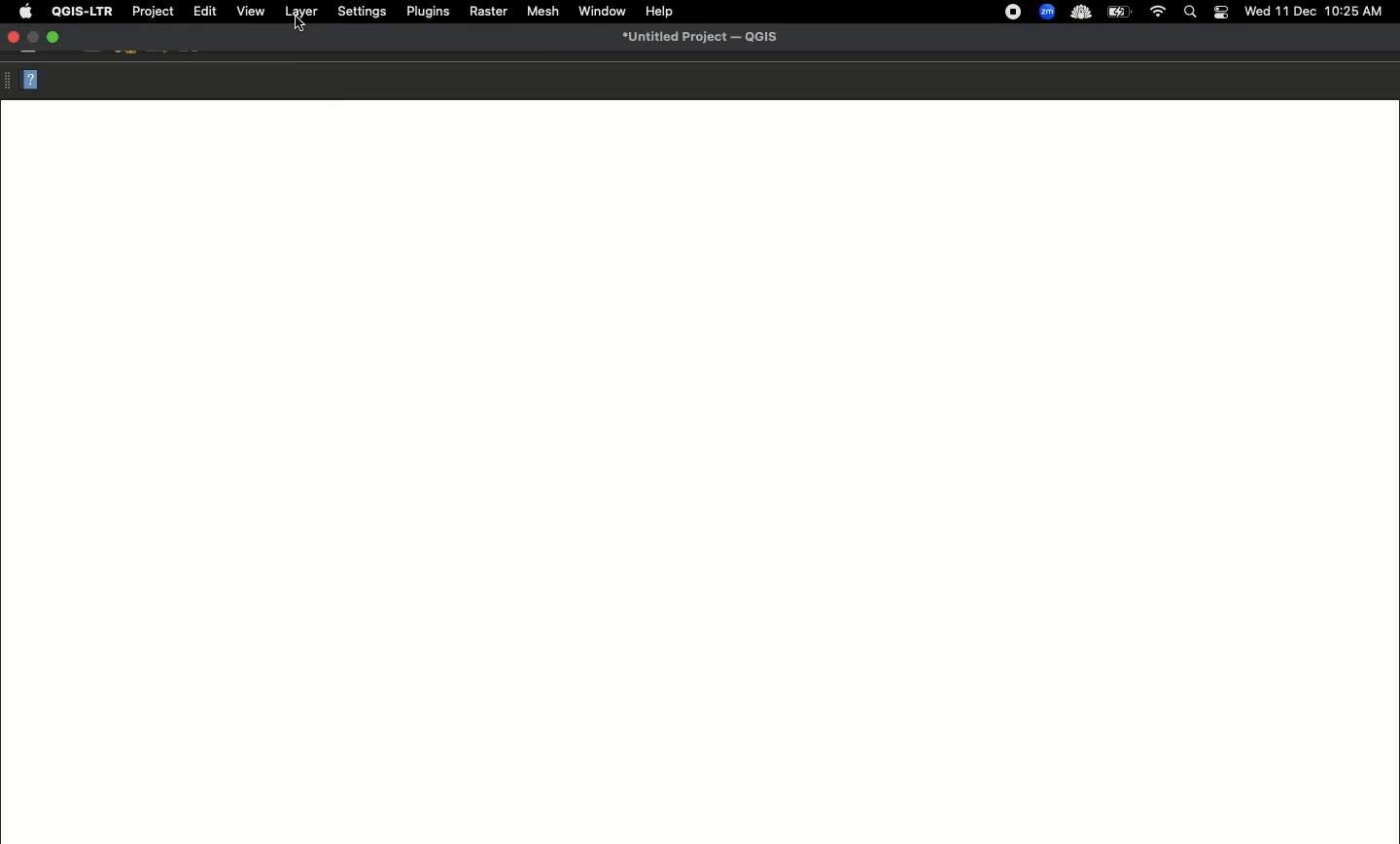 The image size is (1400, 844). Describe the element at coordinates (202, 11) in the screenshot. I see `Edit` at that location.